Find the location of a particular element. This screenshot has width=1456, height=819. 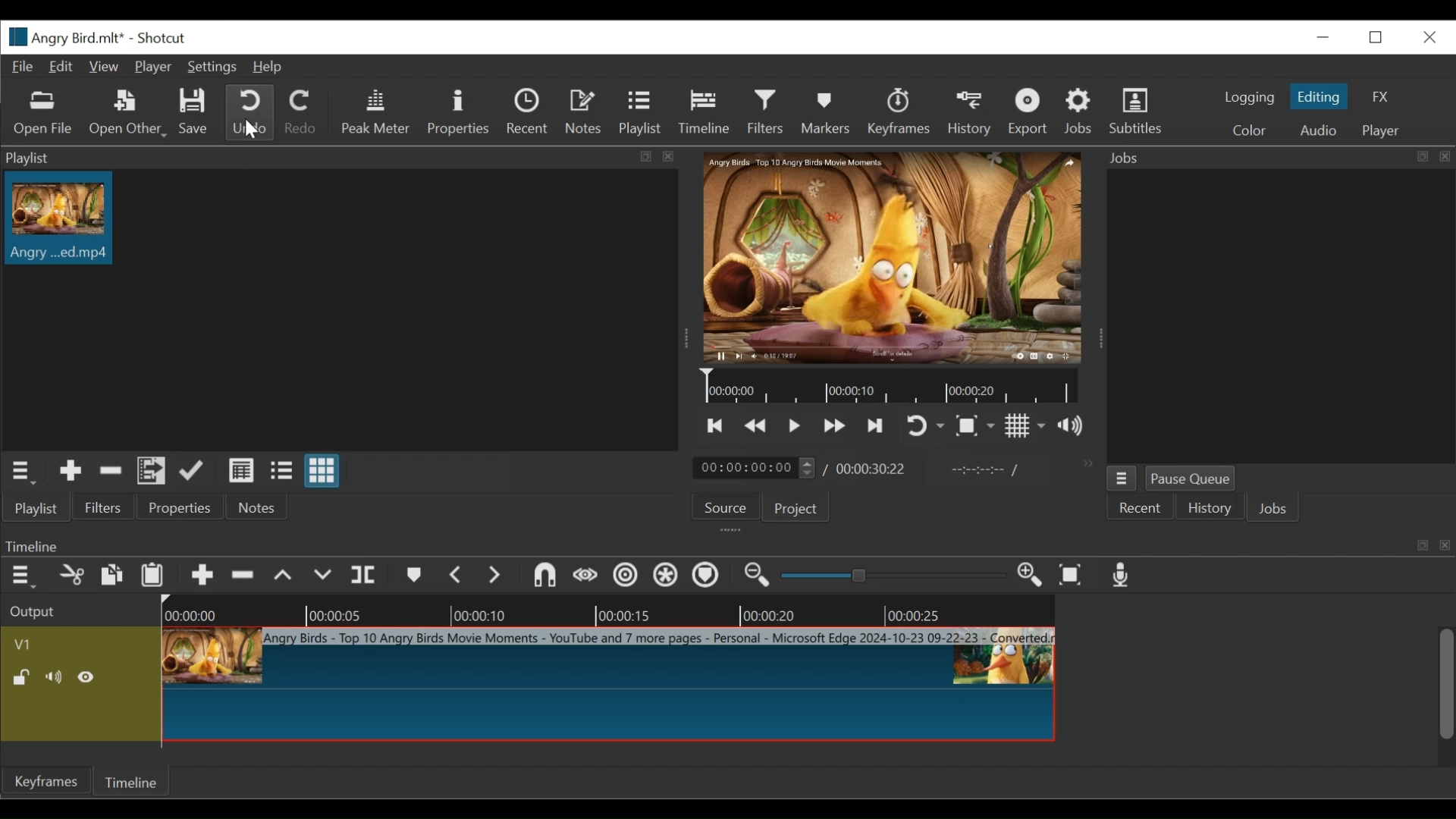

Pause Queue is located at coordinates (1194, 478).